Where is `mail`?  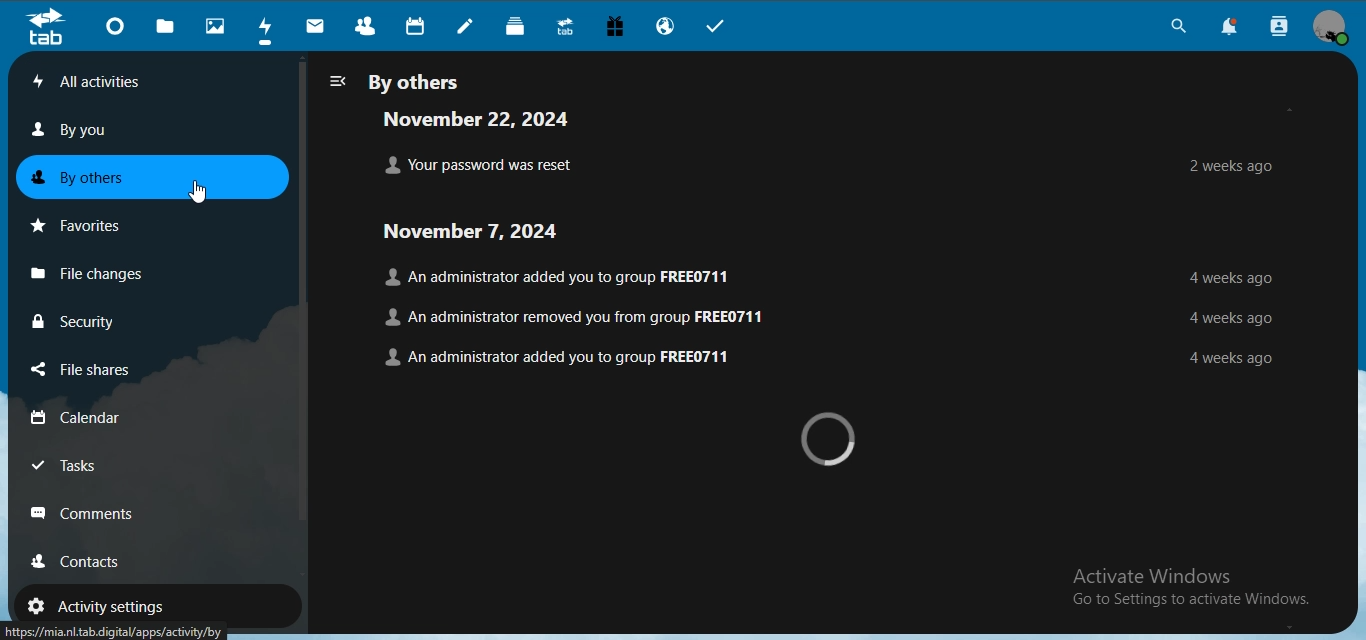
mail is located at coordinates (315, 25).